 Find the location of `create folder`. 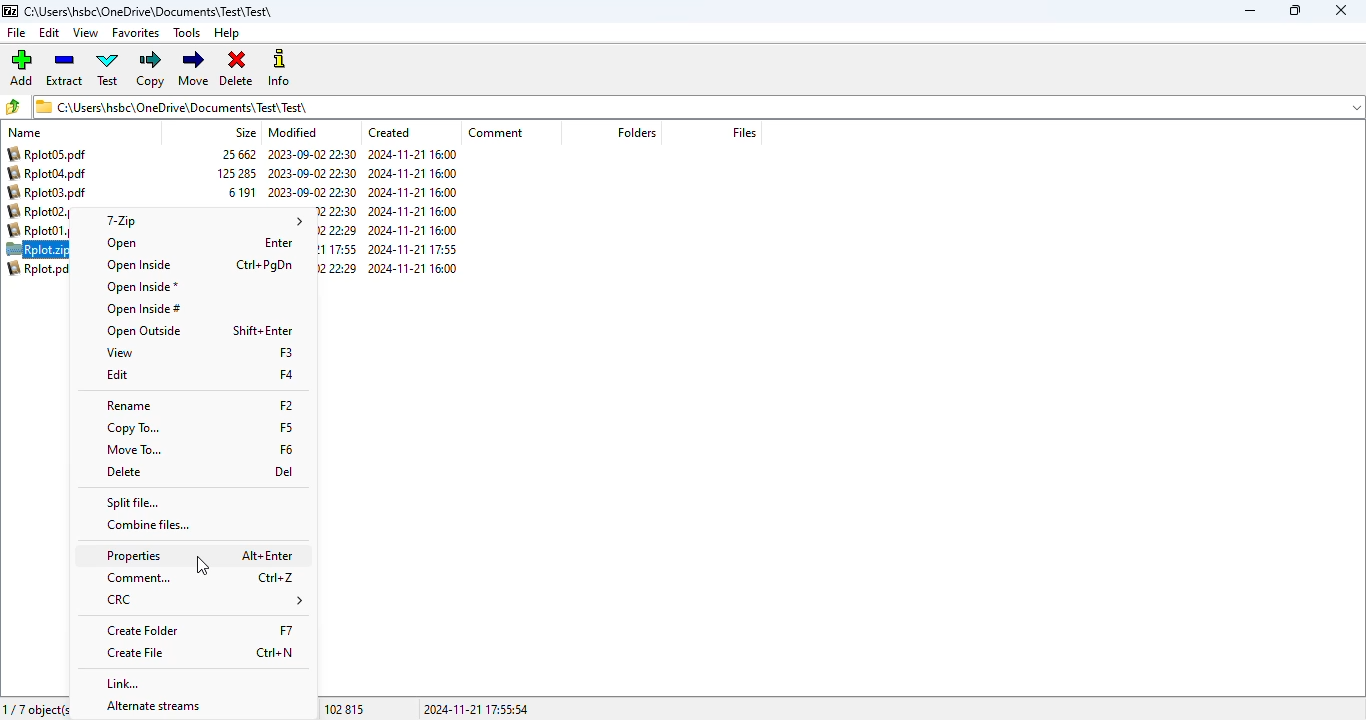

create folder is located at coordinates (145, 631).